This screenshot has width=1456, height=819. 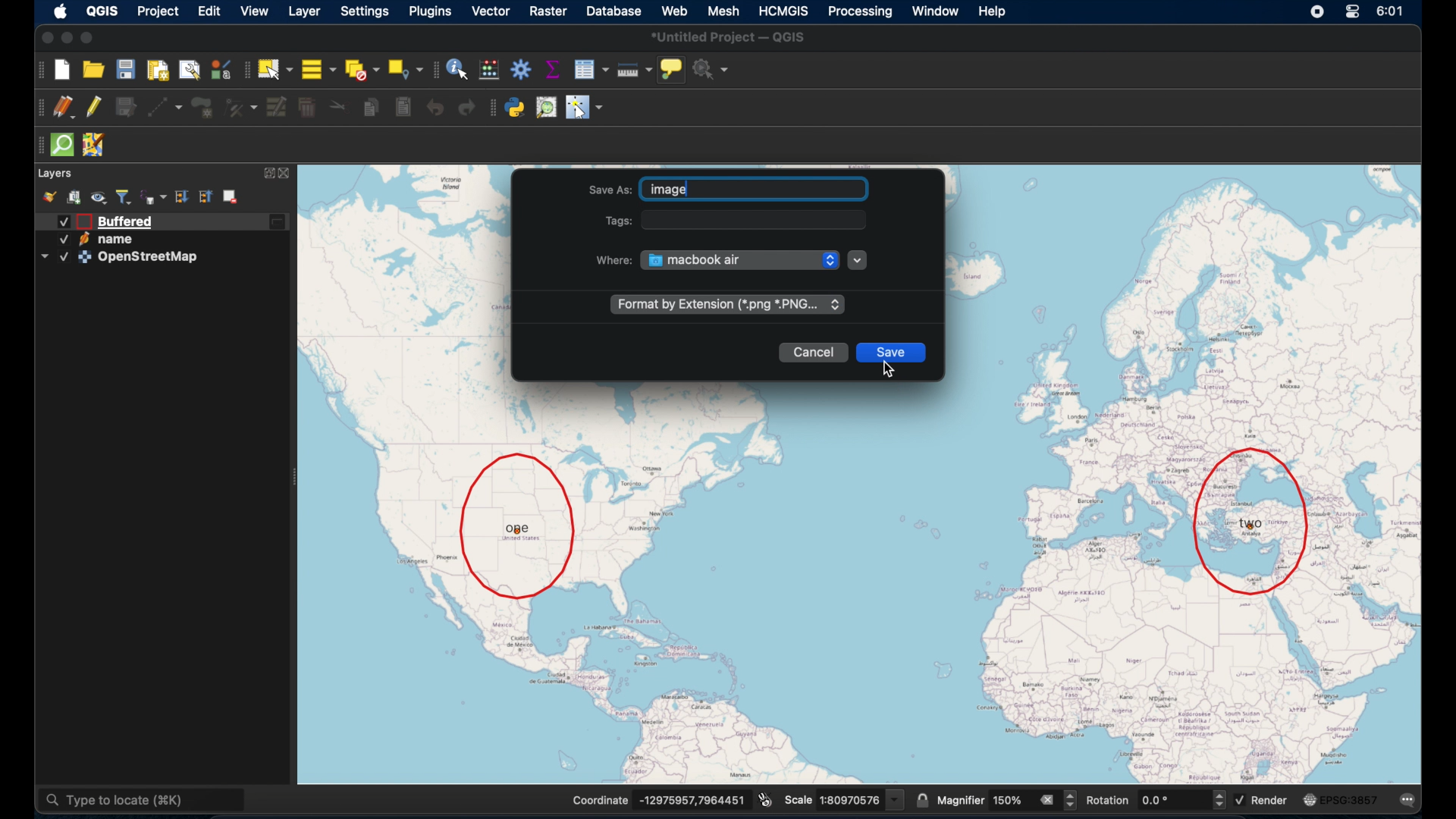 What do you see at coordinates (234, 197) in the screenshot?
I see `remove layer/group` at bounding box center [234, 197].